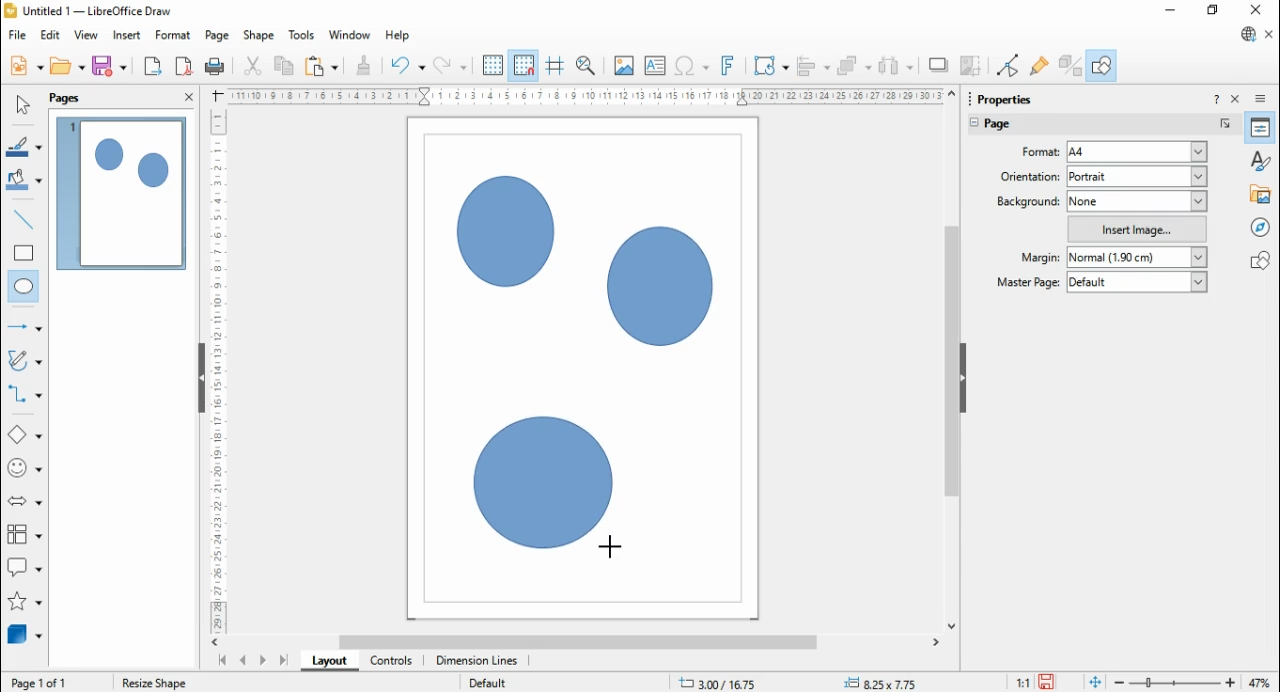 This screenshot has width=1280, height=692. What do you see at coordinates (1262, 682) in the screenshot?
I see `47%` at bounding box center [1262, 682].